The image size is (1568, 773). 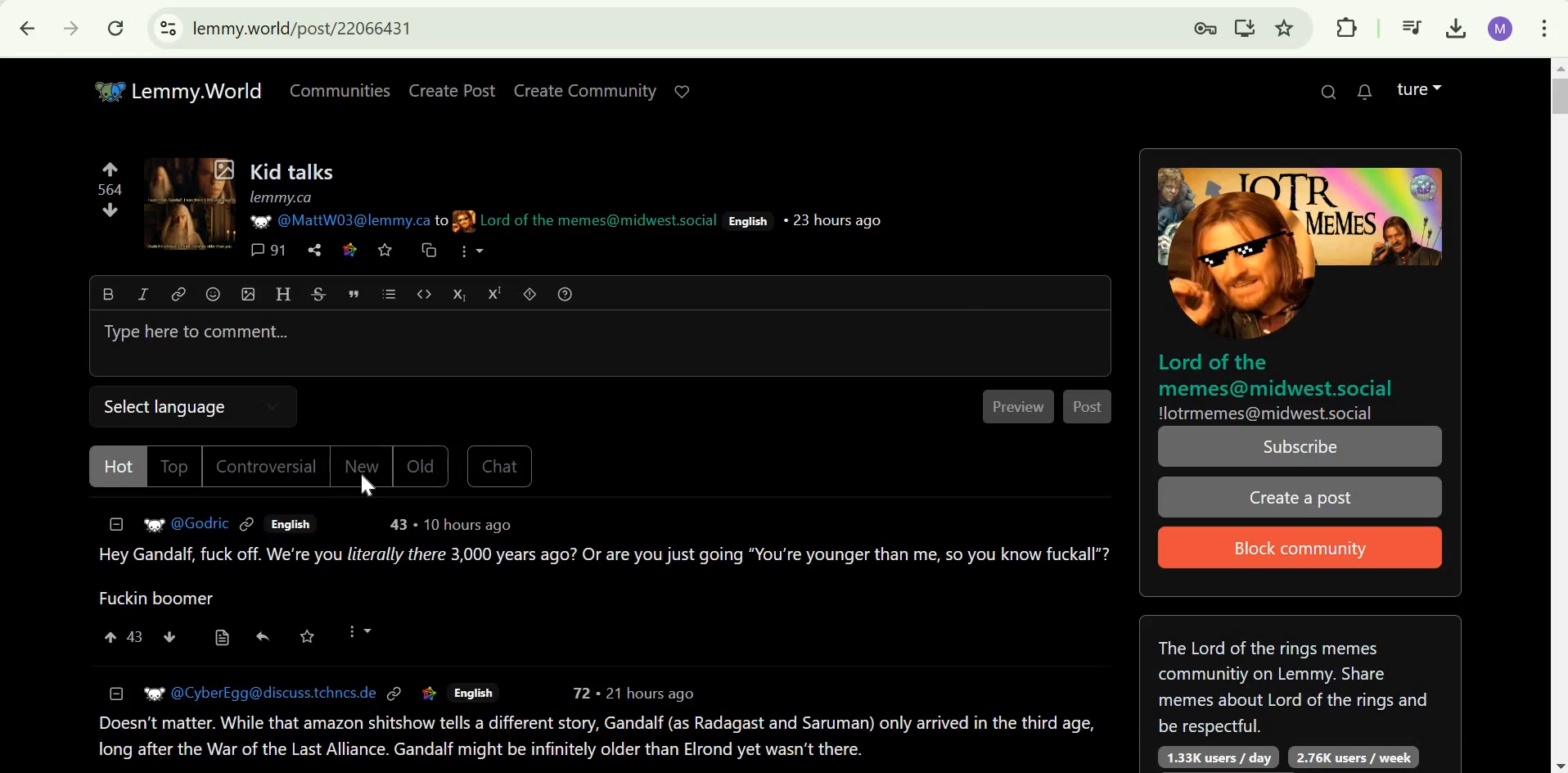 What do you see at coordinates (1365, 92) in the screenshot?
I see `0 unread messages` at bounding box center [1365, 92].